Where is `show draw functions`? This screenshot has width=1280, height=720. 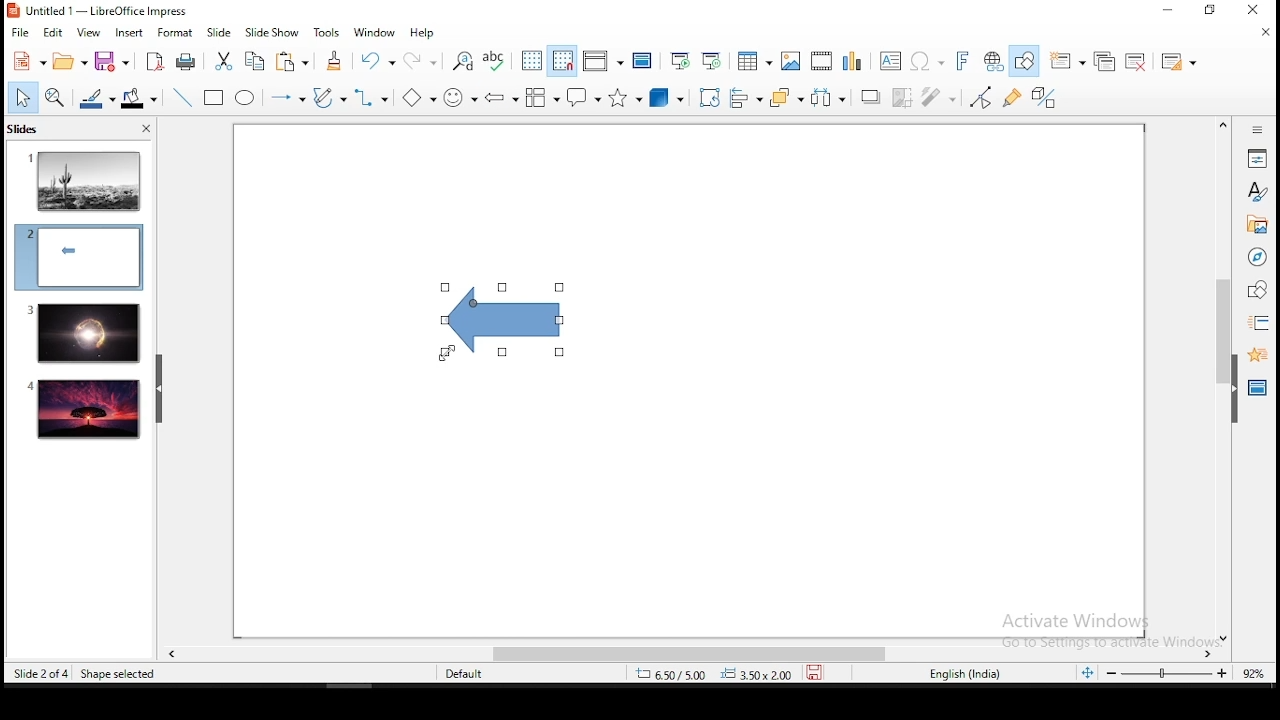 show draw functions is located at coordinates (1027, 61).